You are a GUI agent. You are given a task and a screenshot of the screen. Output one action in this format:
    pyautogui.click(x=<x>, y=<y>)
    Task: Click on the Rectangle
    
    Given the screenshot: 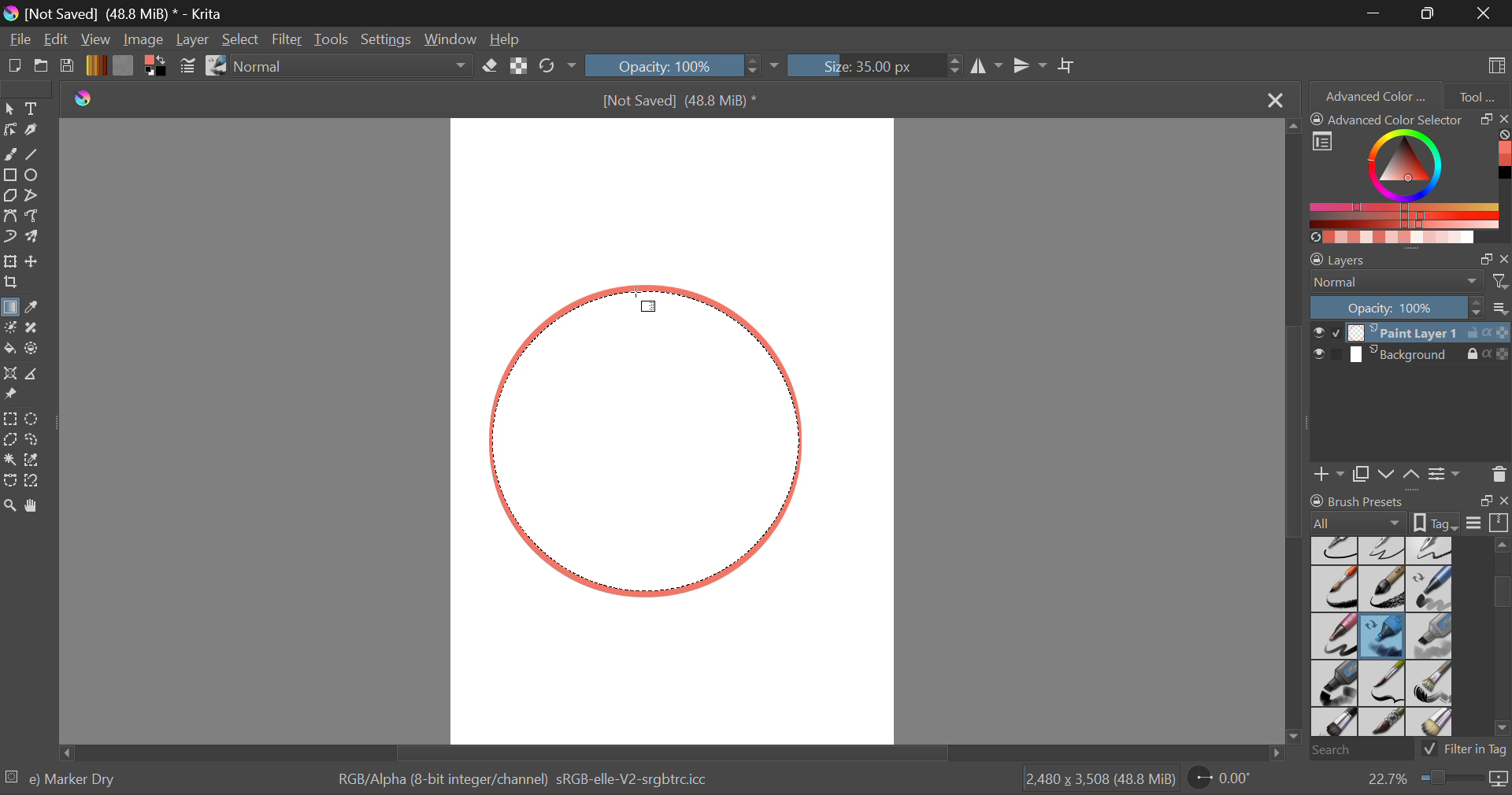 What is the action you would take?
    pyautogui.click(x=9, y=176)
    